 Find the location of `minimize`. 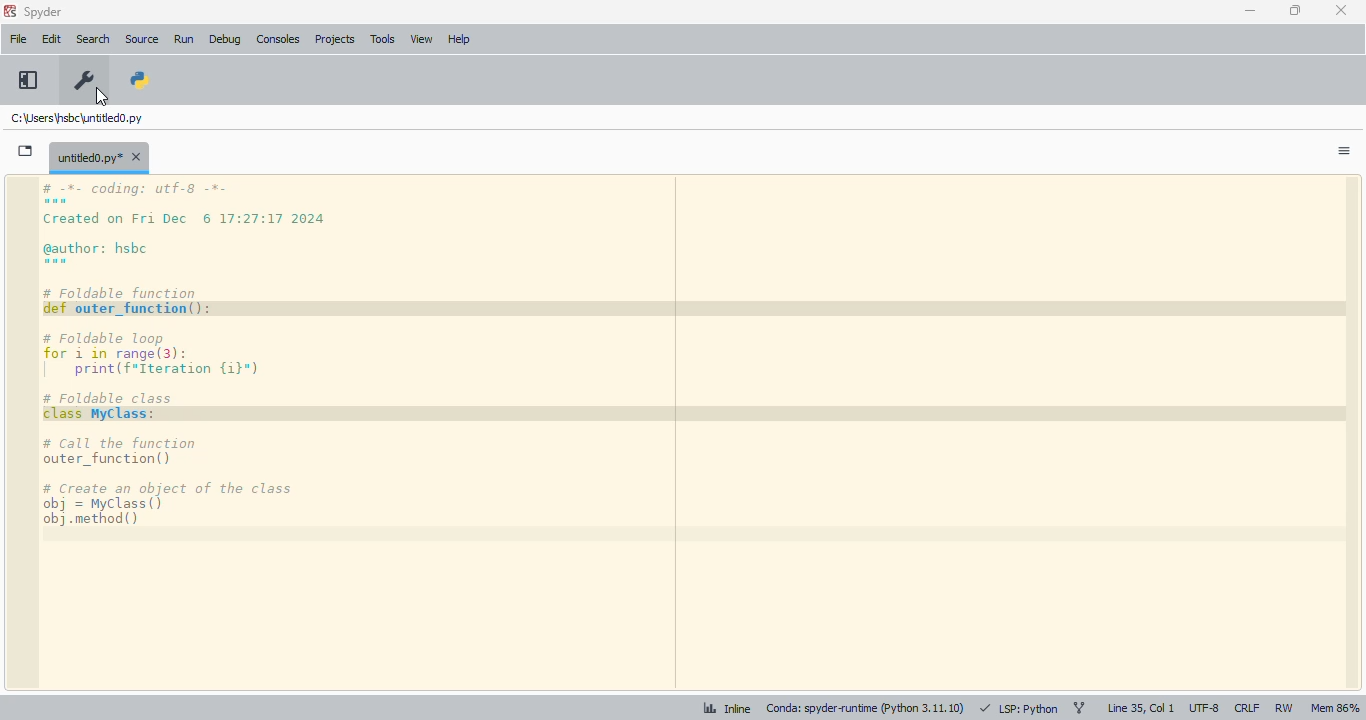

minimize is located at coordinates (1250, 10).